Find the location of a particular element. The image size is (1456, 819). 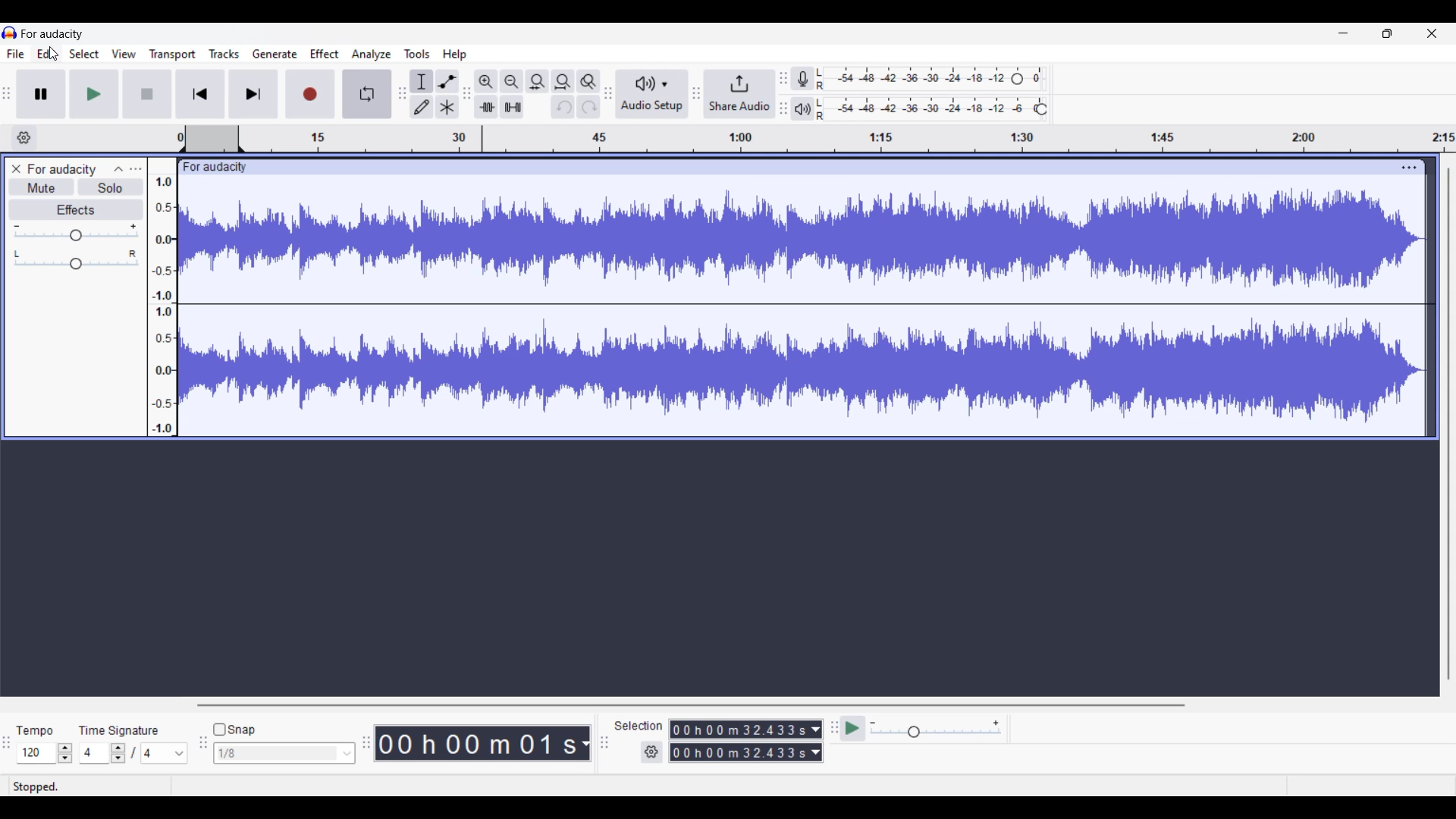

Indicates selection duration is located at coordinates (639, 726).